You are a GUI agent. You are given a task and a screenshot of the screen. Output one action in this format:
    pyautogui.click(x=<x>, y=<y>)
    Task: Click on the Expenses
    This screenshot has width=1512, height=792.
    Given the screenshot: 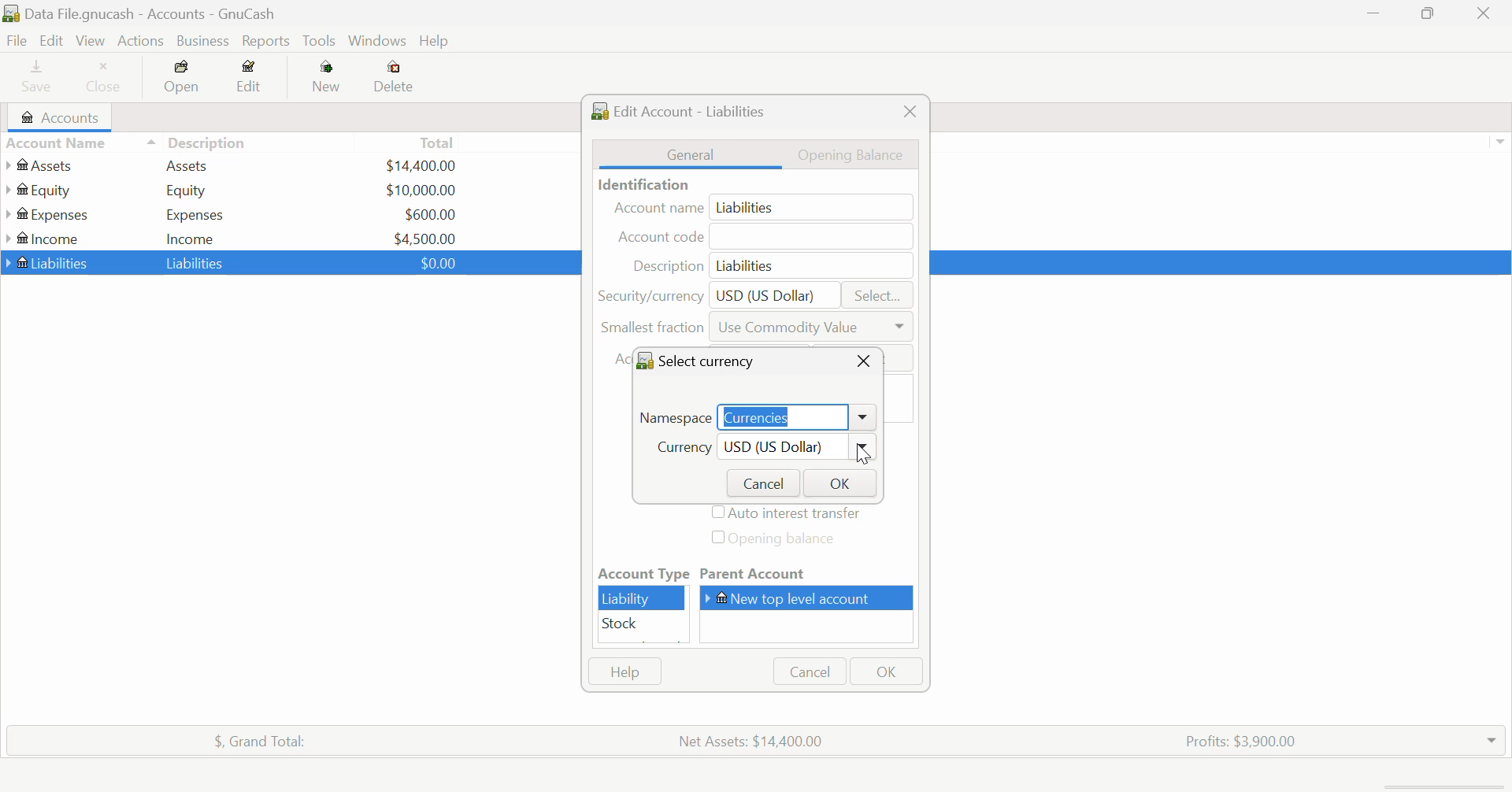 What is the action you would take?
    pyautogui.click(x=195, y=214)
    